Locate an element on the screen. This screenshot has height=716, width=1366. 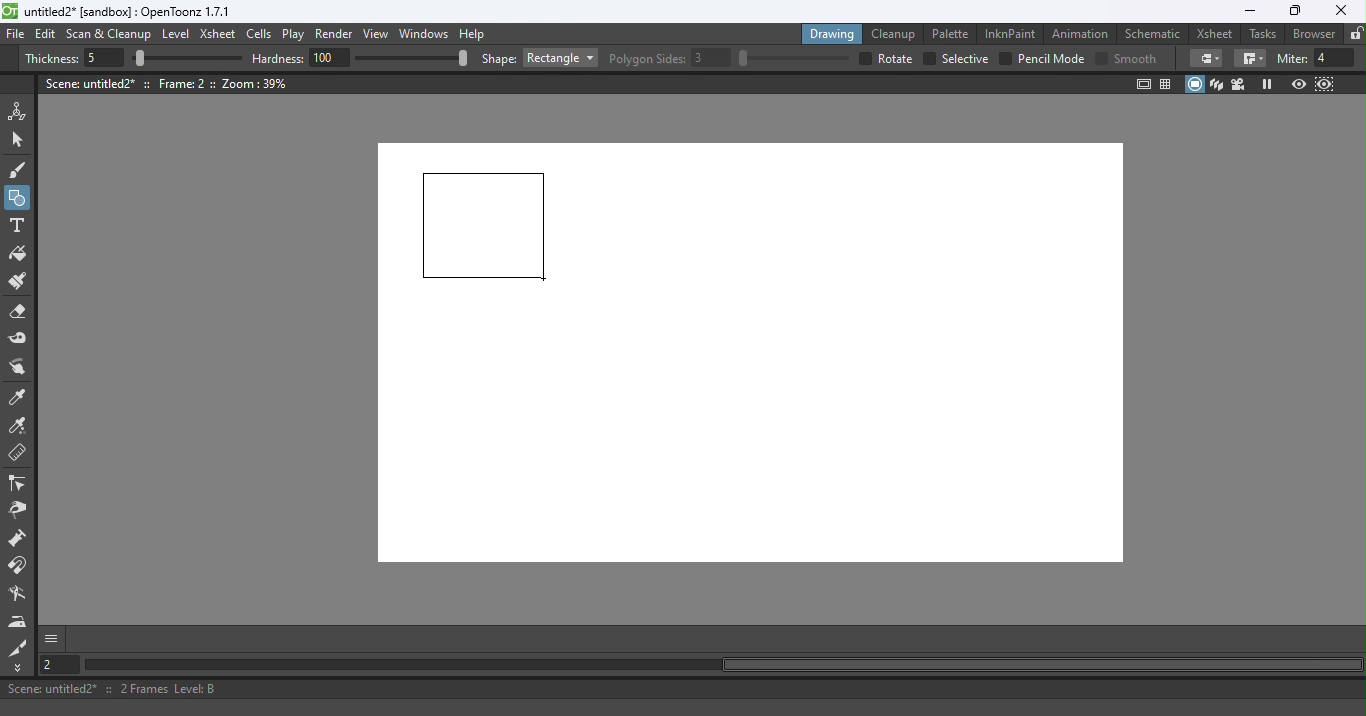
Rectangle drawn is located at coordinates (485, 227).